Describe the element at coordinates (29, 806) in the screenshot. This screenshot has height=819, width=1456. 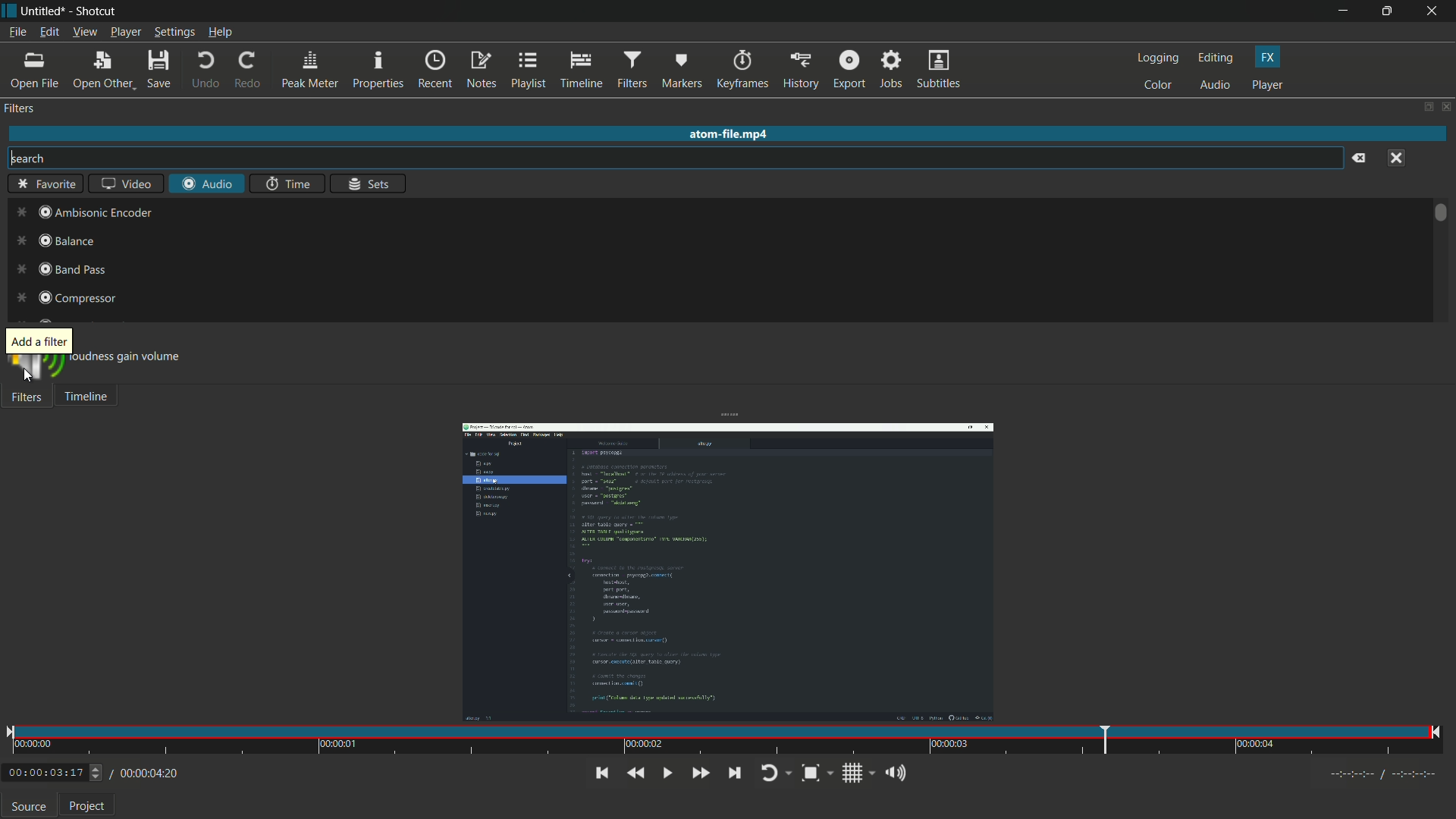
I see `source` at that location.